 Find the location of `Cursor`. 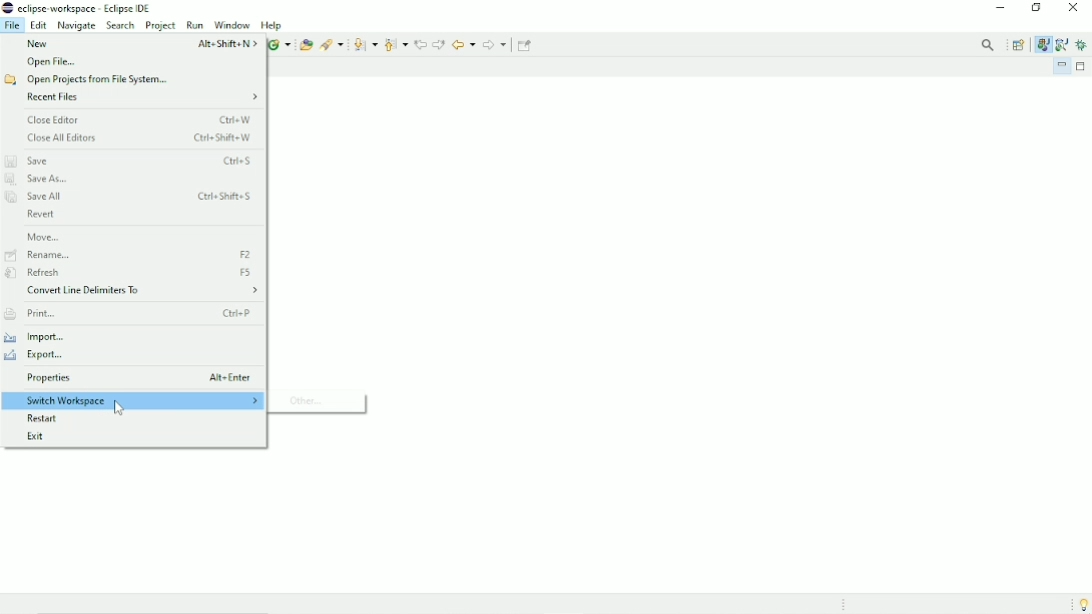

Cursor is located at coordinates (119, 409).